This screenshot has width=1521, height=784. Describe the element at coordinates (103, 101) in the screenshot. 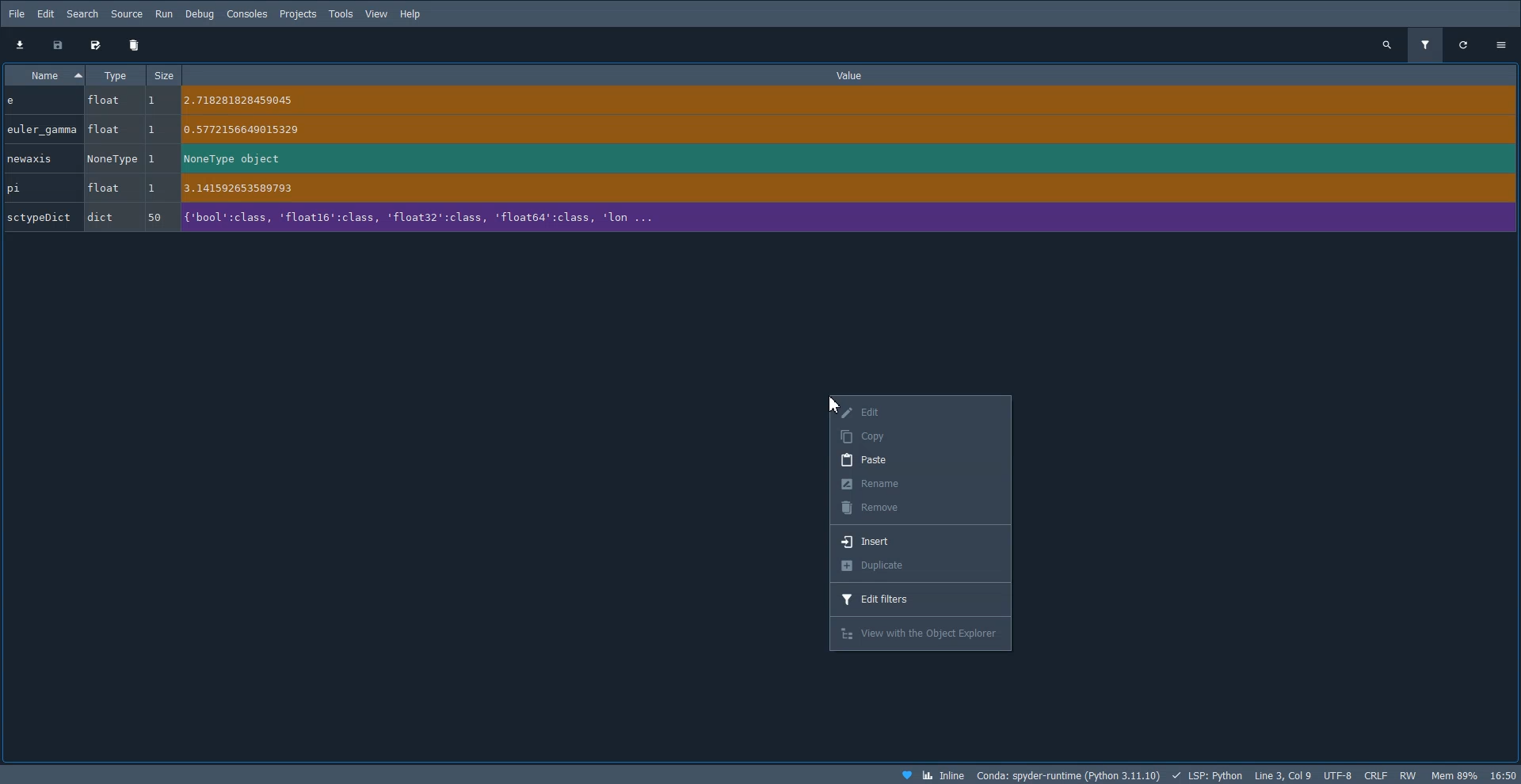

I see `float` at that location.